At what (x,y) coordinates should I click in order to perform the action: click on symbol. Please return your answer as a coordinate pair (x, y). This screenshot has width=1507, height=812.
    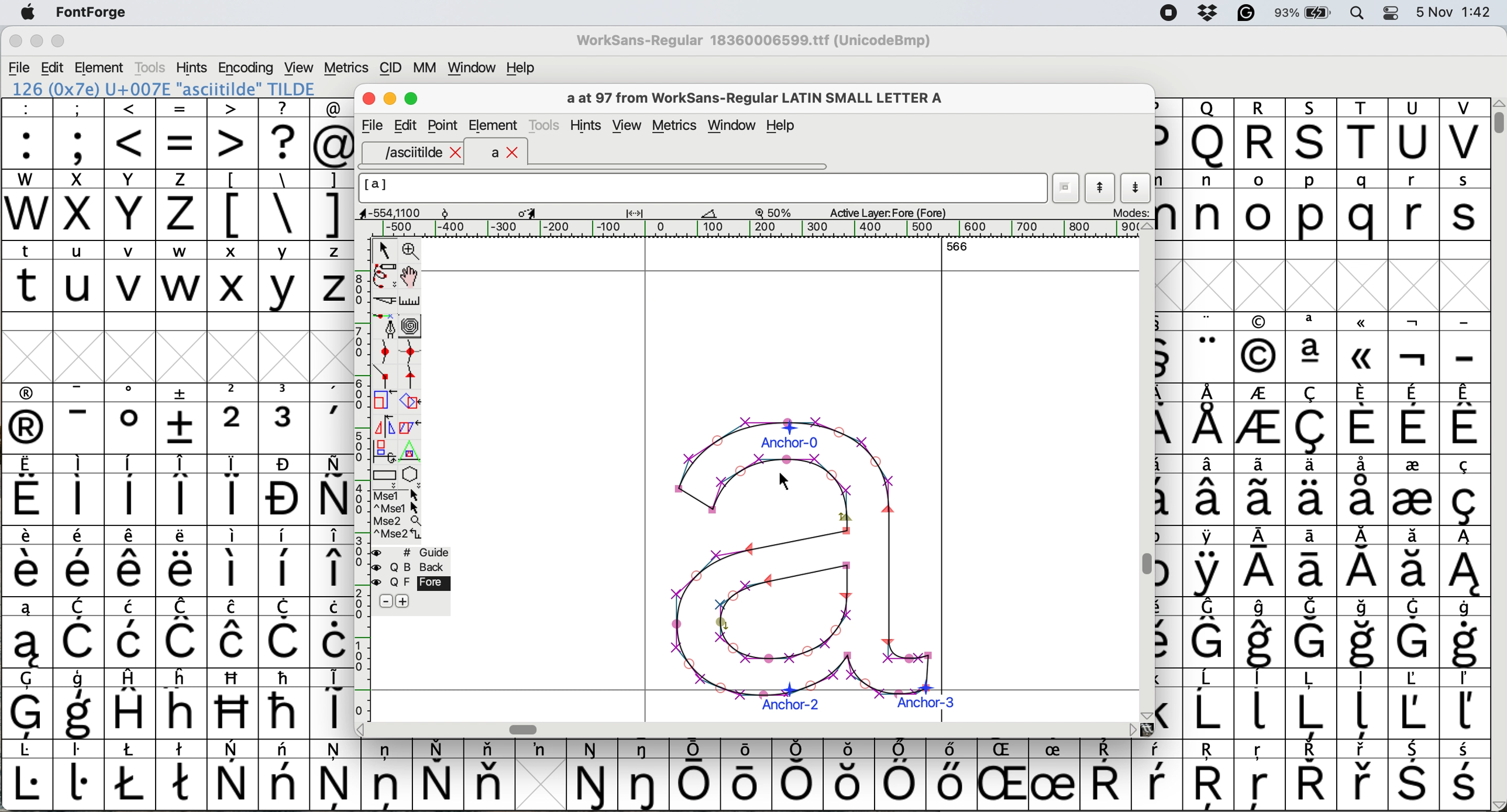
    Looking at the image, I should click on (130, 418).